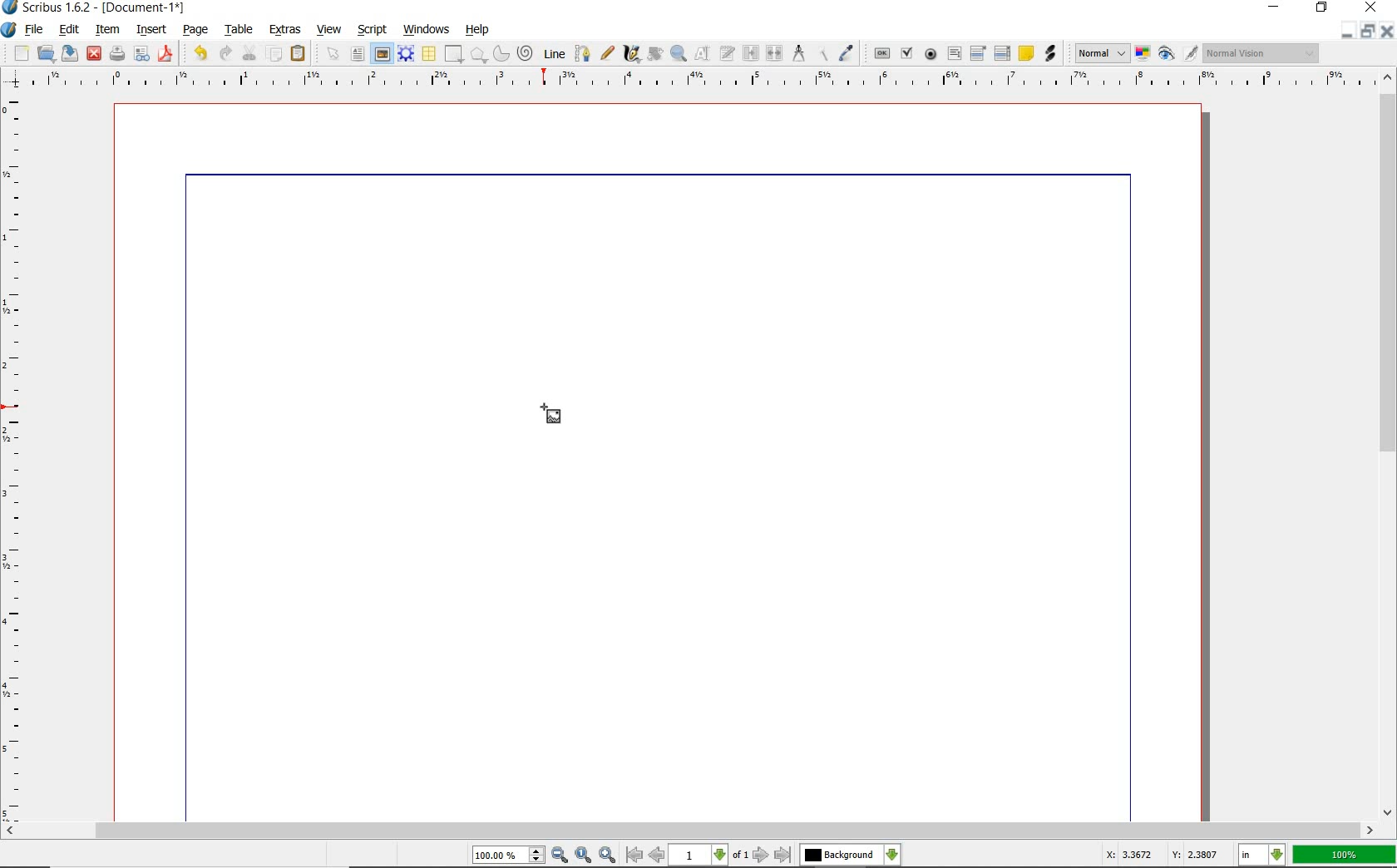 The height and width of the screenshot is (868, 1397). Describe the element at coordinates (548, 413) in the screenshot. I see `Cursor Position` at that location.